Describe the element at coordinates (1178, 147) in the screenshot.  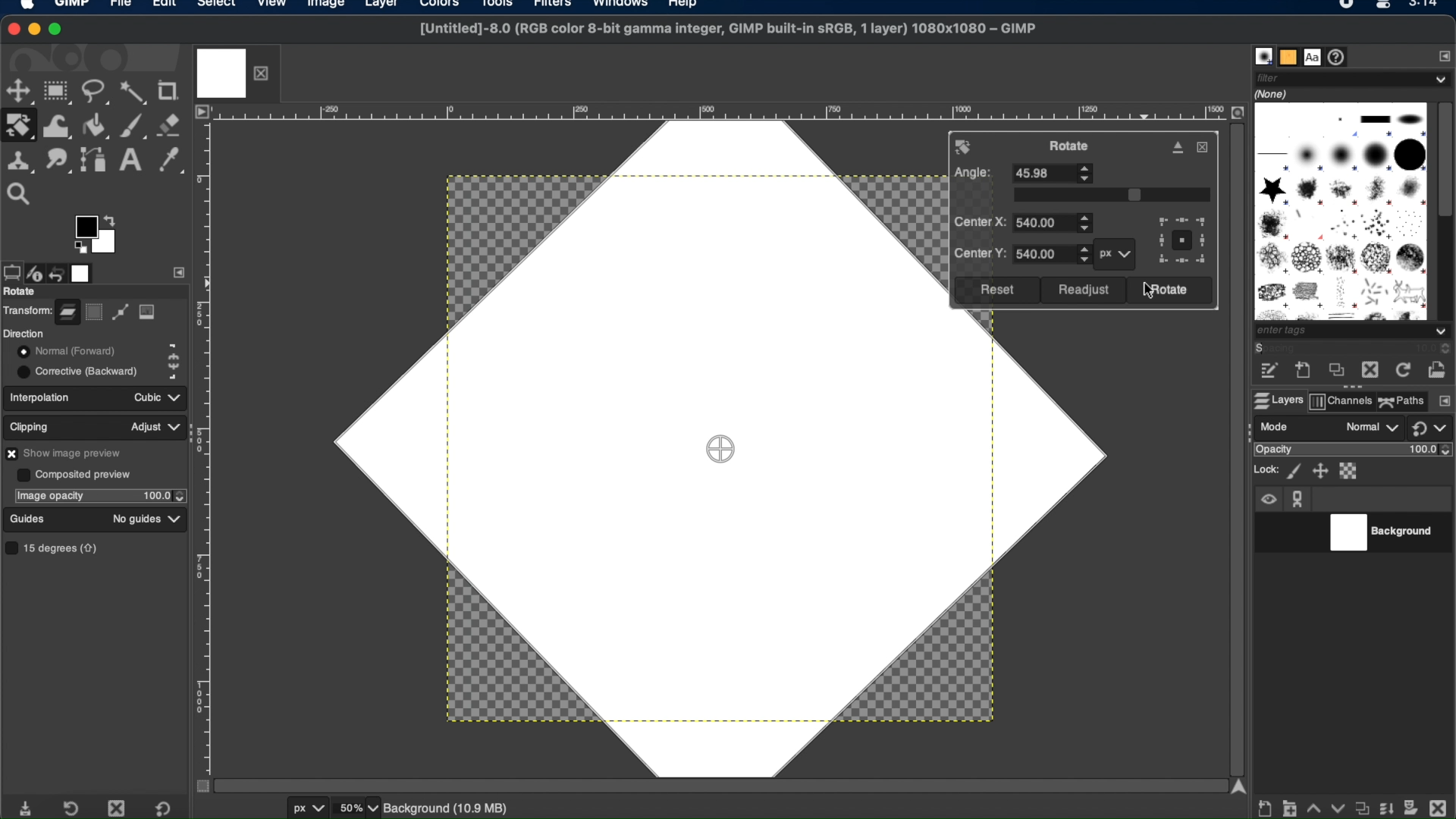
I see `detach dialog from canvas` at that location.